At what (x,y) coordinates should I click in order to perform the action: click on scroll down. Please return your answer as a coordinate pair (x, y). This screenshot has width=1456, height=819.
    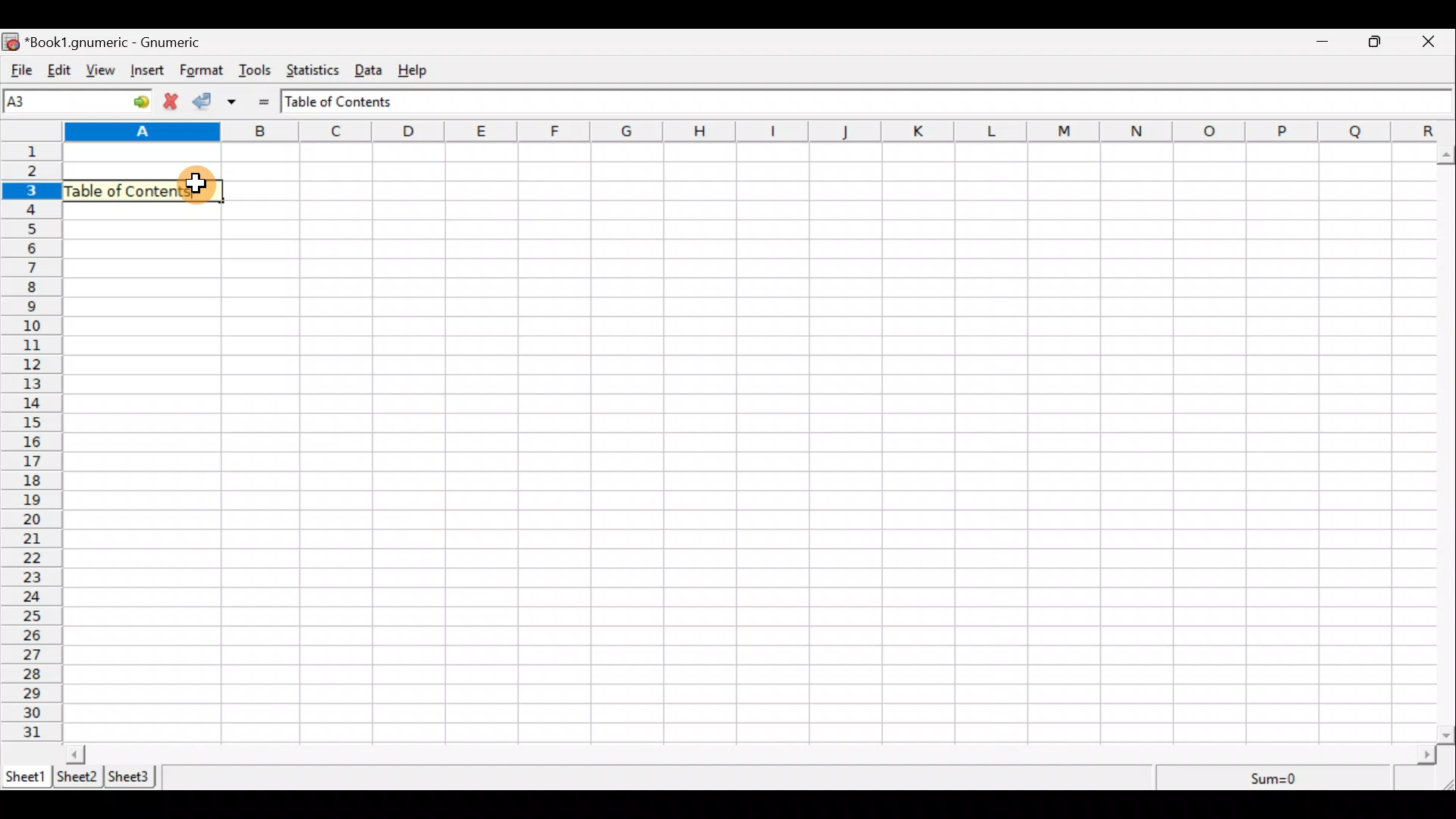
    Looking at the image, I should click on (1447, 735).